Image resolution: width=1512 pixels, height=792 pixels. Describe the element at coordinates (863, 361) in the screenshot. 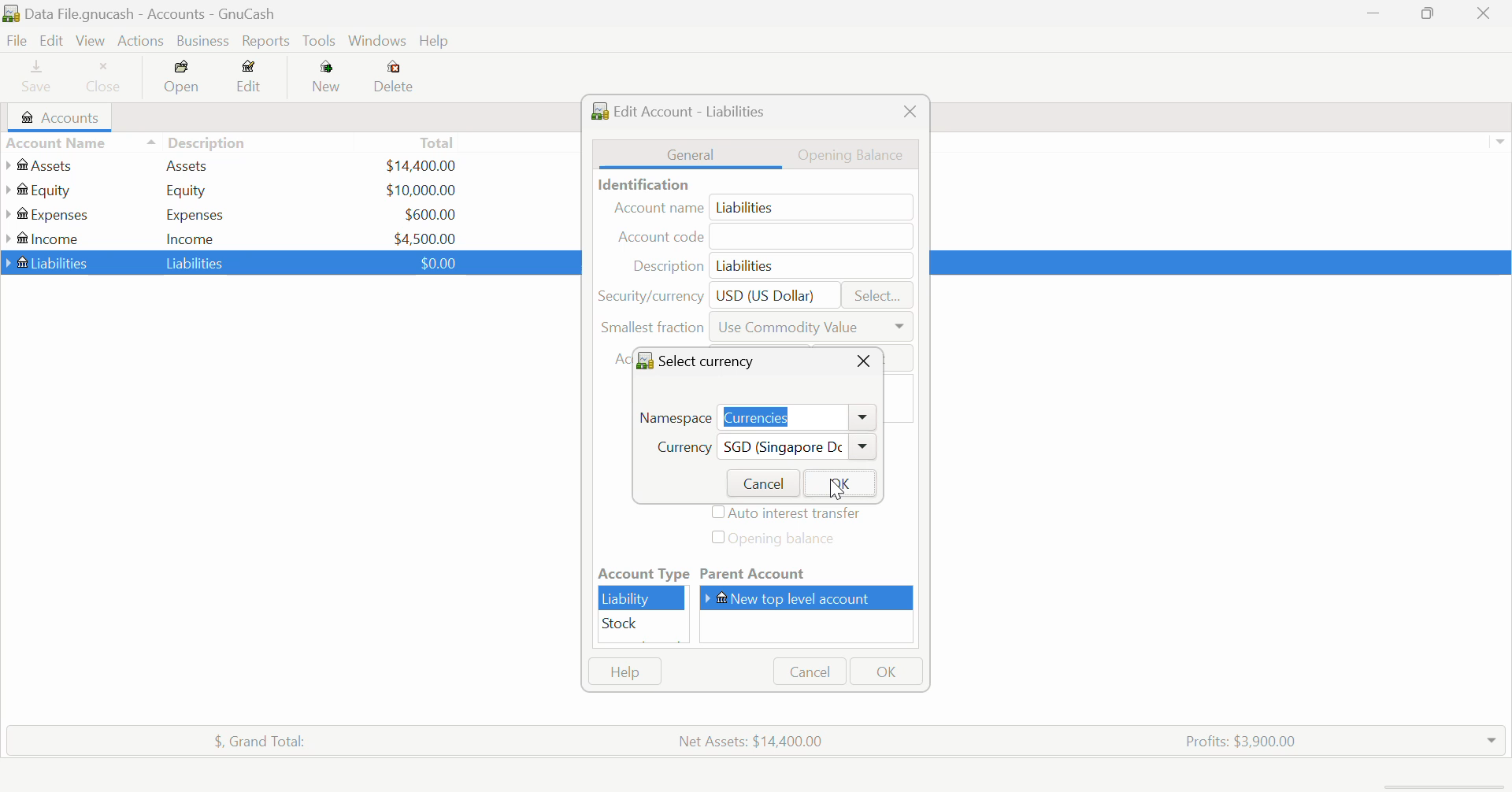

I see `Close` at that location.